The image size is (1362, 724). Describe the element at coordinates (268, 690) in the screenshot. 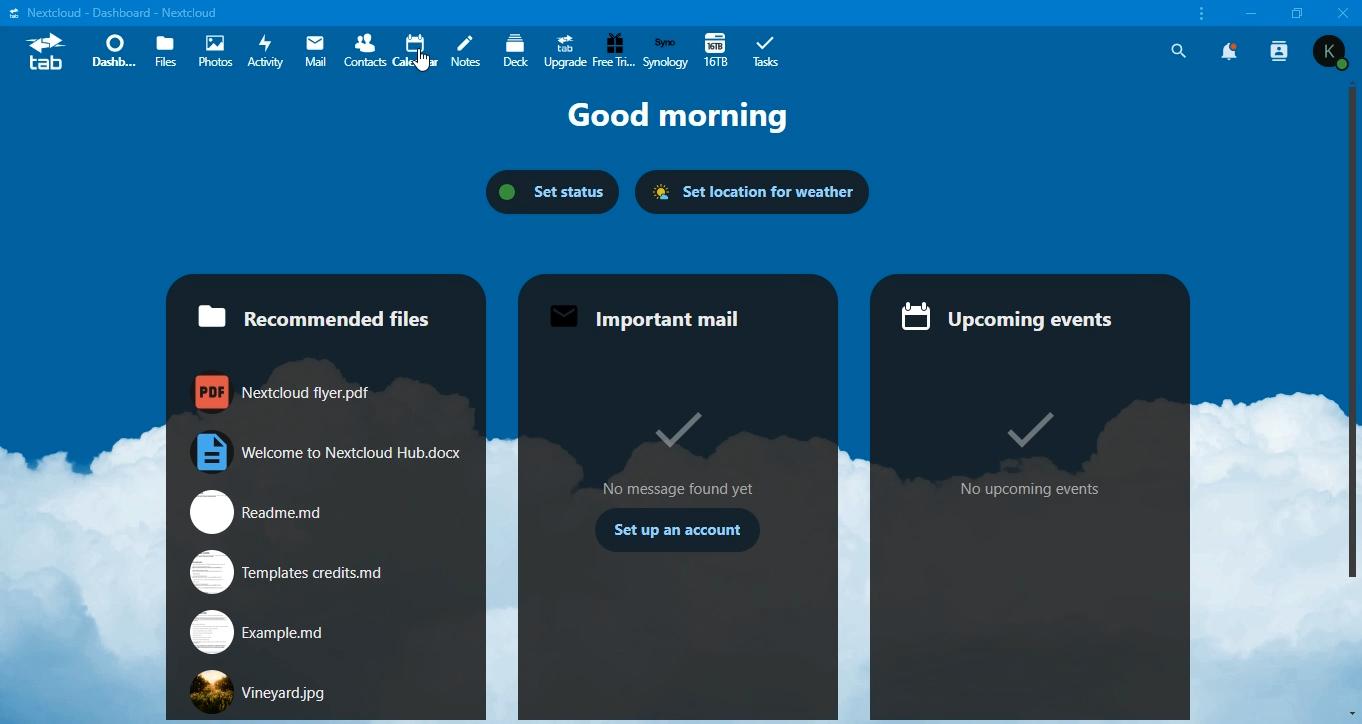

I see `Vineyard.jpg` at that location.